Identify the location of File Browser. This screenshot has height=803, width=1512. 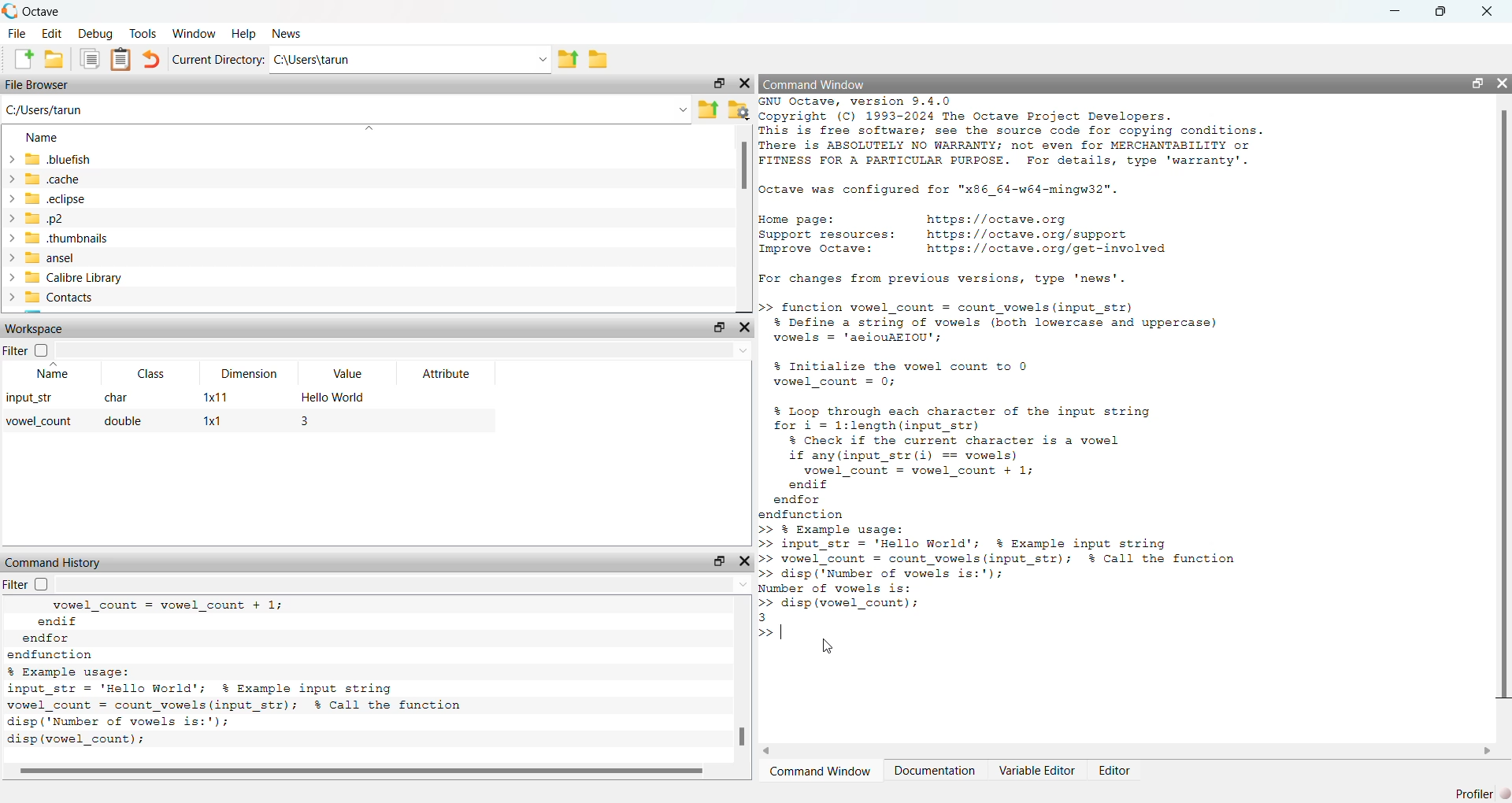
(38, 84).